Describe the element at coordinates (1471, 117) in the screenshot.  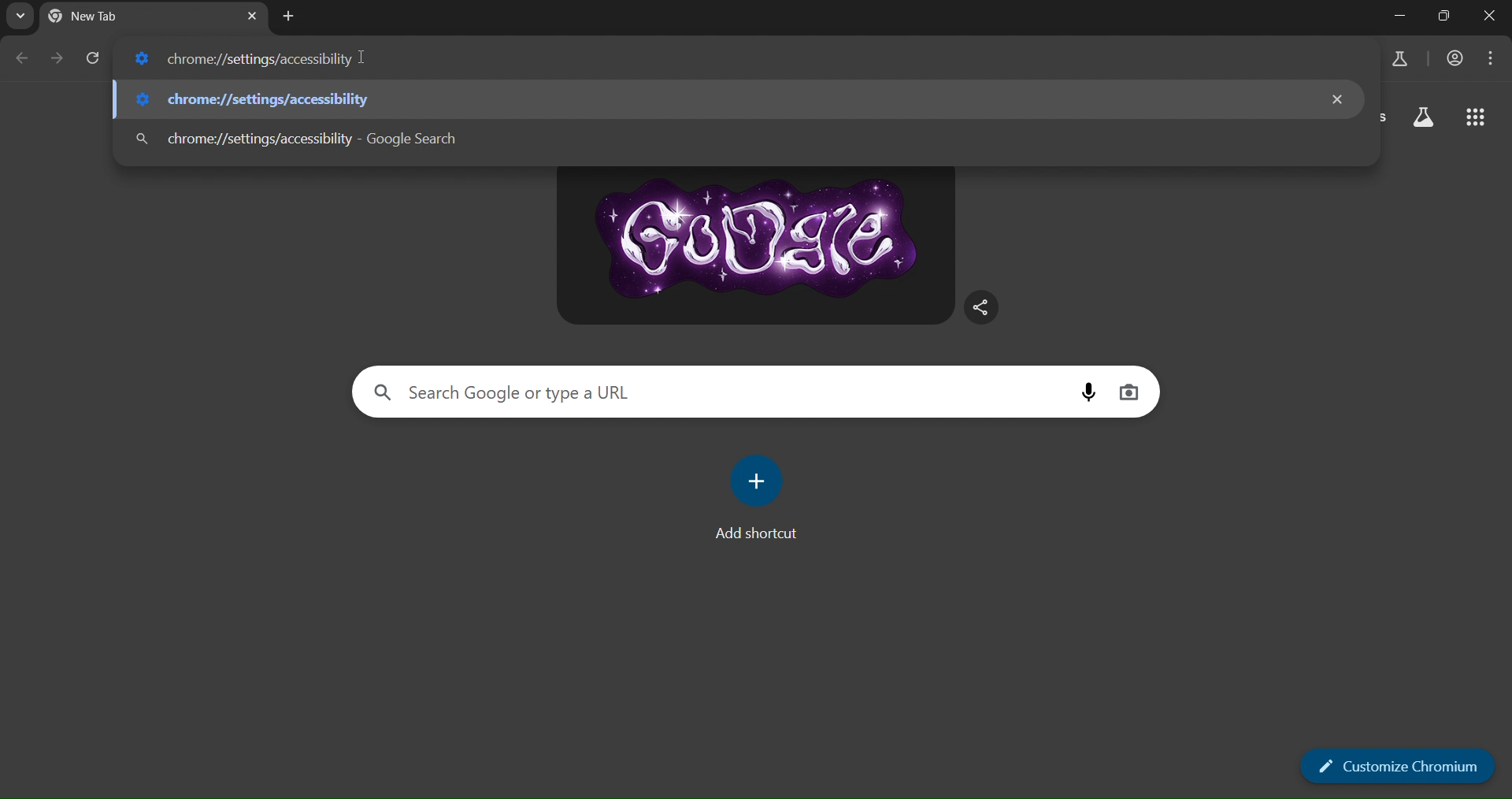
I see `google apps` at that location.